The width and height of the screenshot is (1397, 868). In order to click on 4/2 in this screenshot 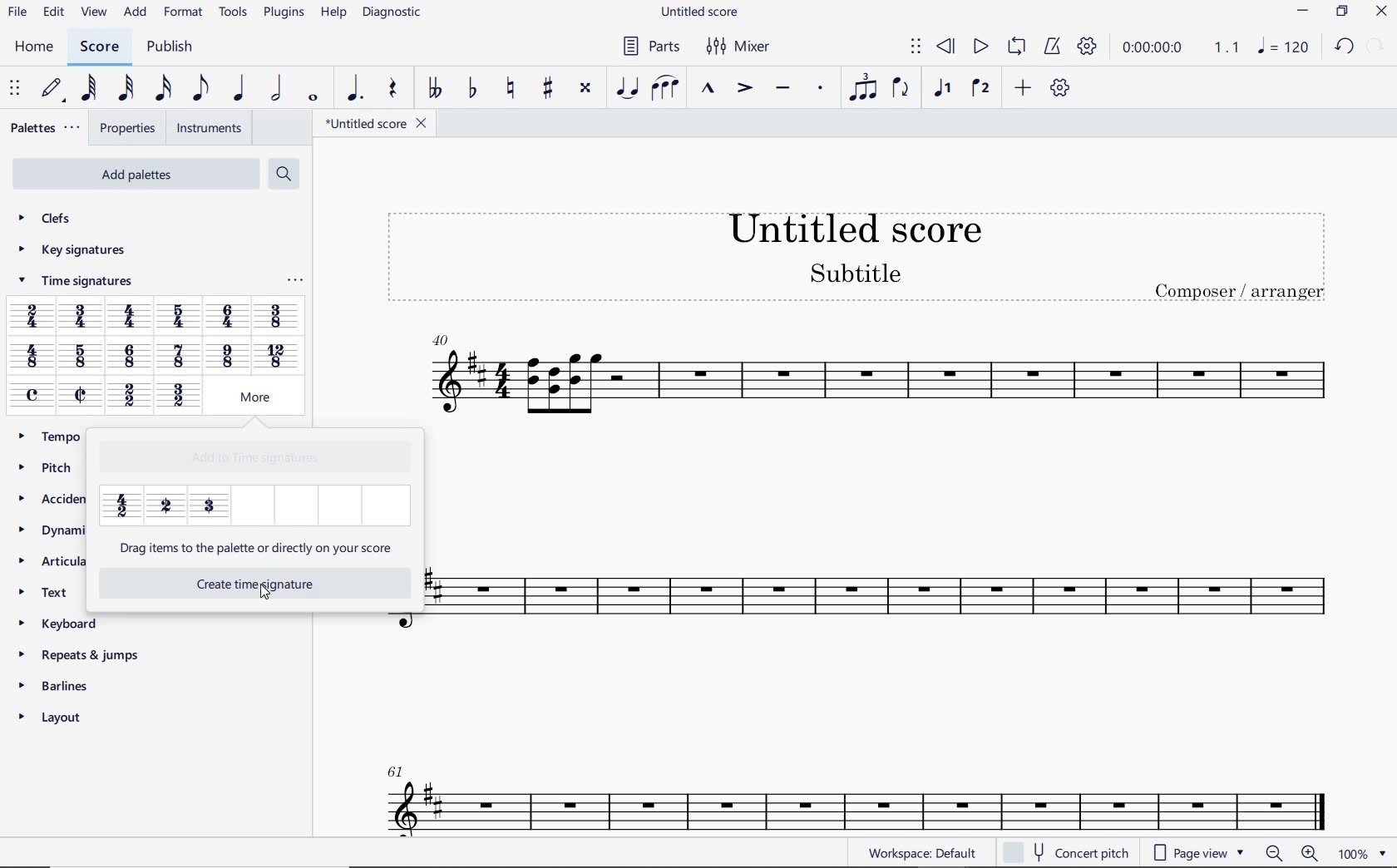, I will do `click(121, 506)`.